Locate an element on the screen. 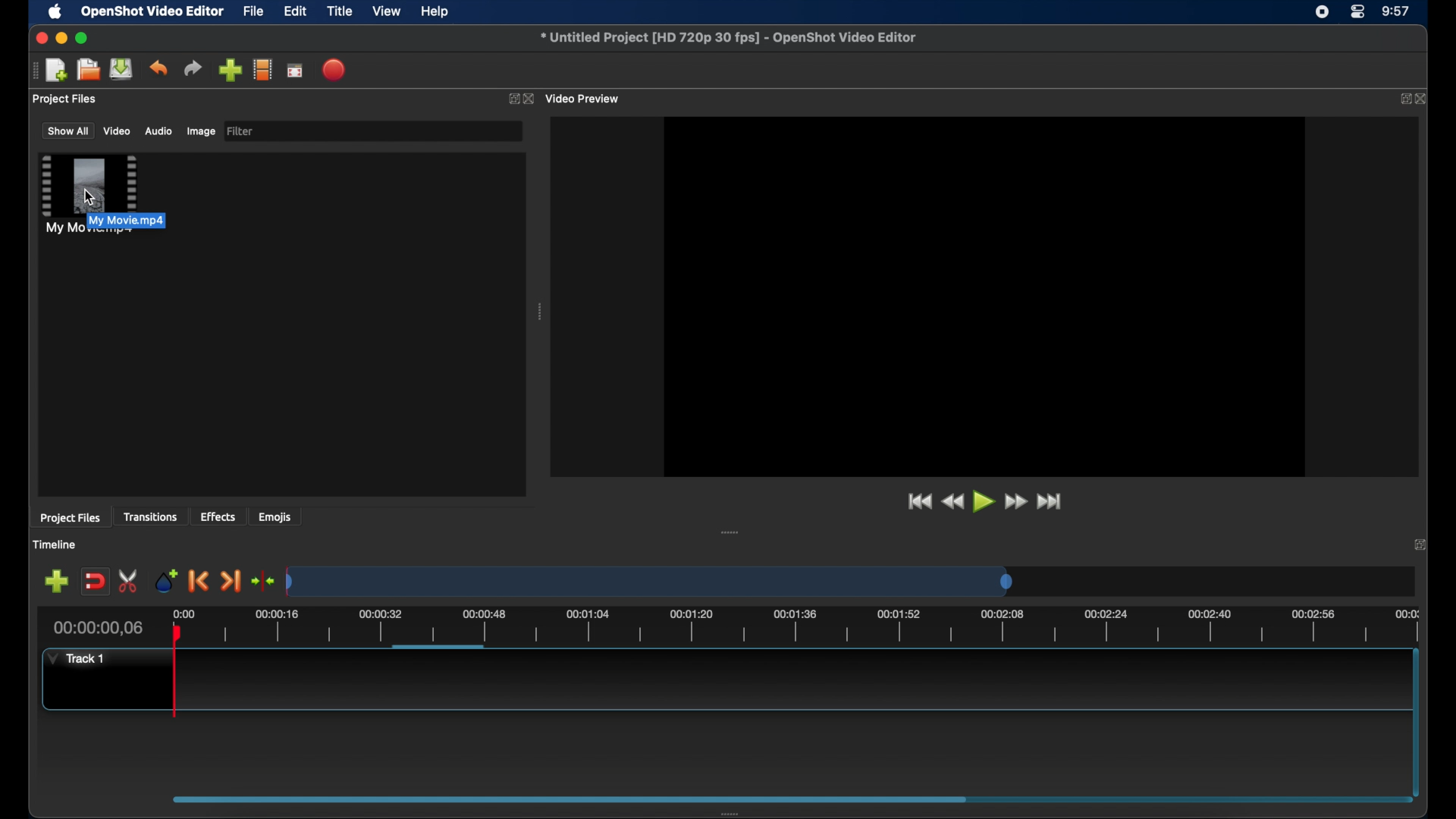 The height and width of the screenshot is (819, 1456). disable snapping is located at coordinates (95, 582).